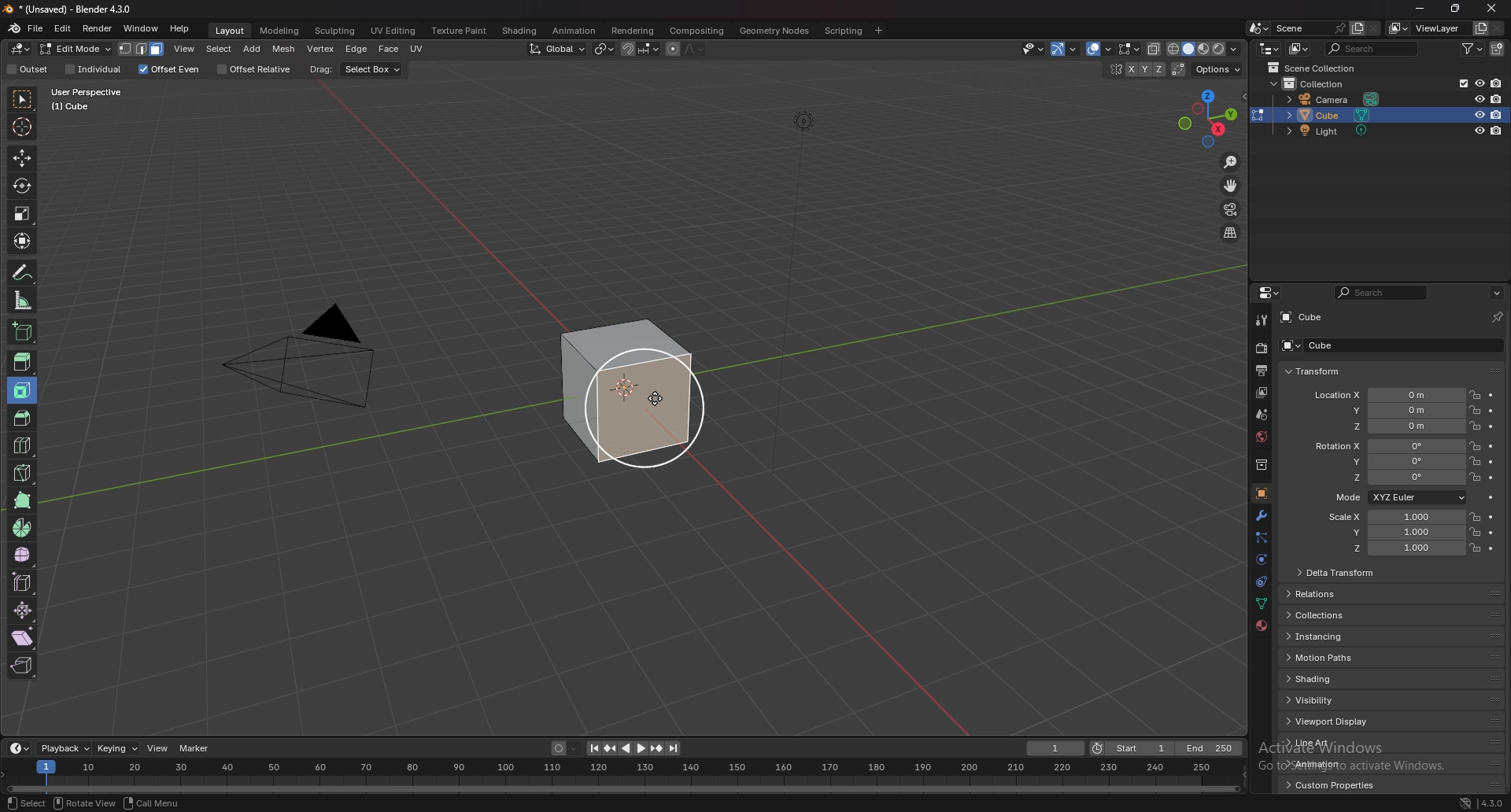 This screenshot has width=1511, height=812. What do you see at coordinates (696, 31) in the screenshot?
I see `compositing` at bounding box center [696, 31].